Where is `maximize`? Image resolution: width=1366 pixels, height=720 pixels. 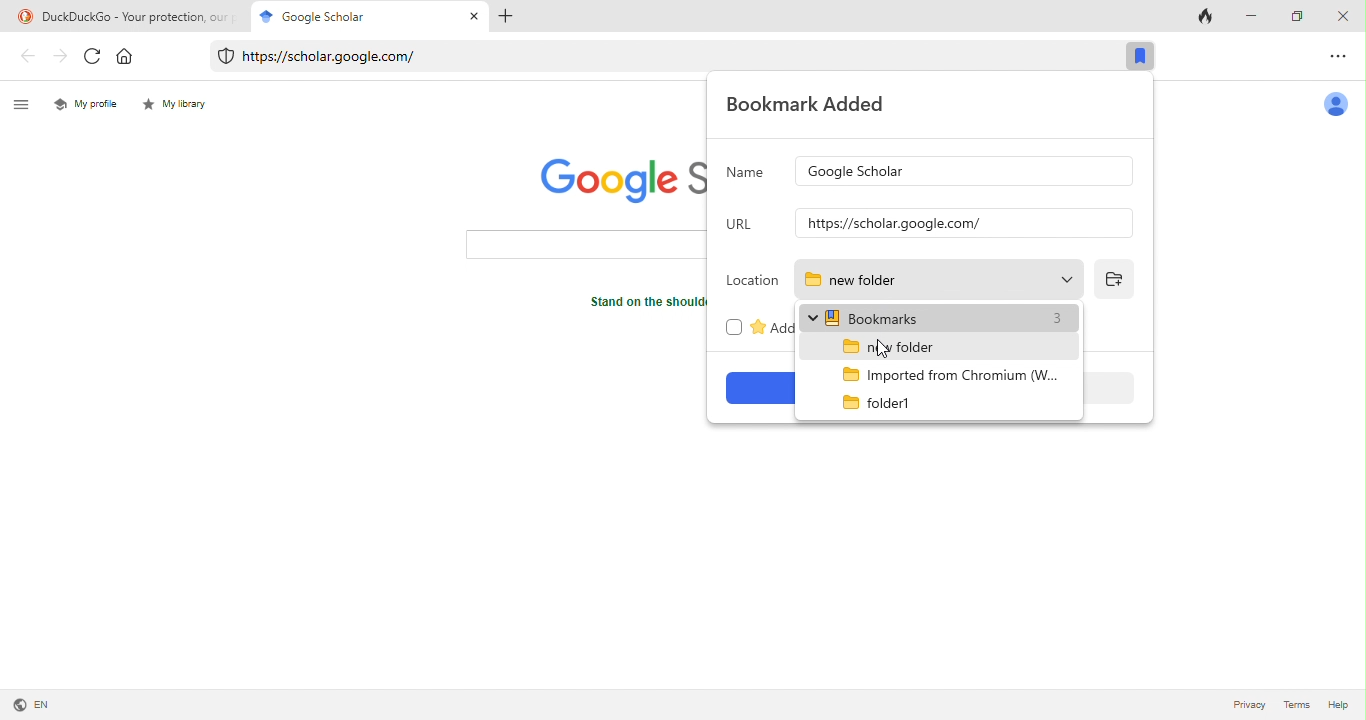
maximize is located at coordinates (1301, 15).